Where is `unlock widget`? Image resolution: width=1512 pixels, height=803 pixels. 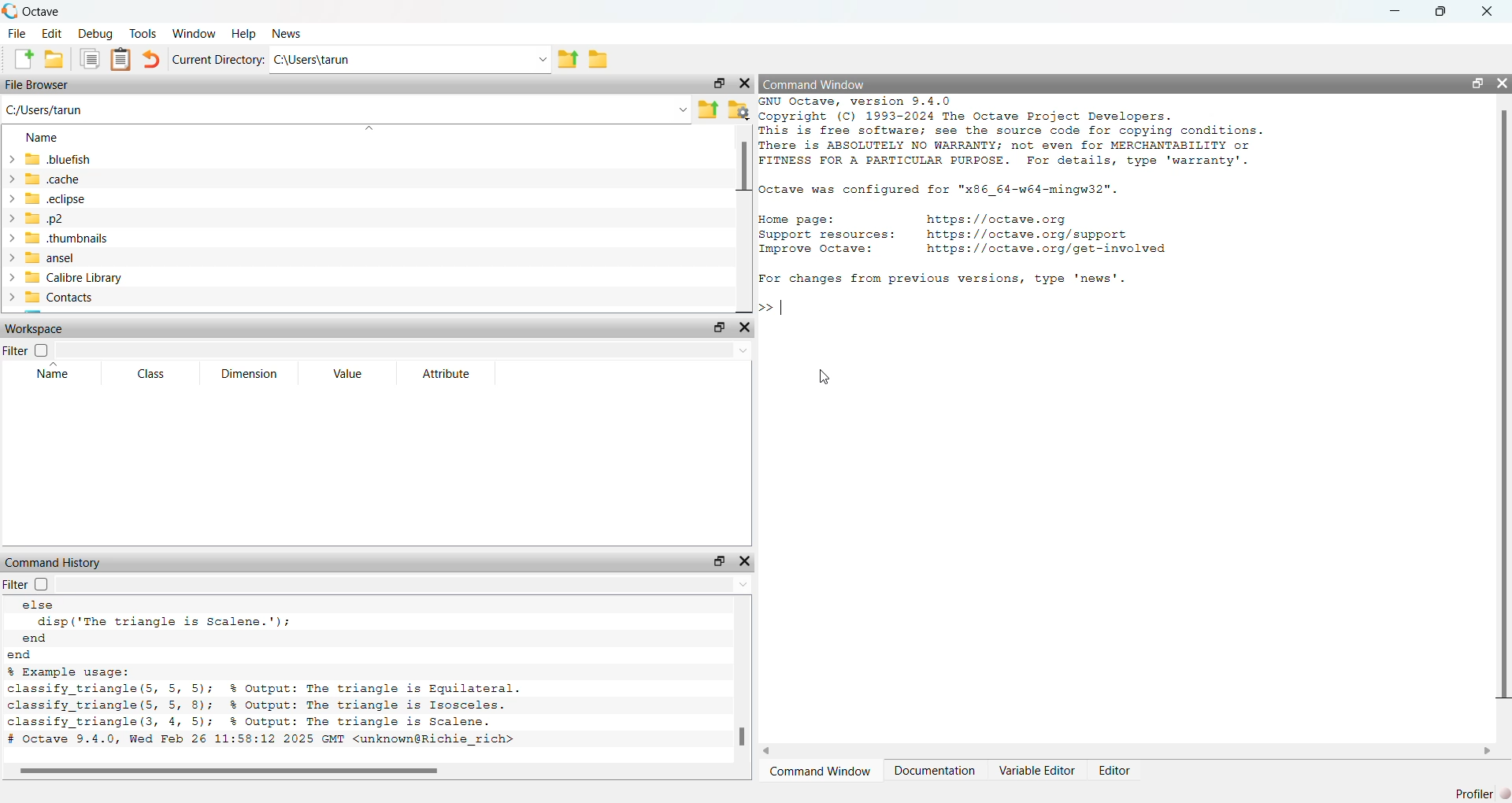
unlock widget is located at coordinates (1473, 82).